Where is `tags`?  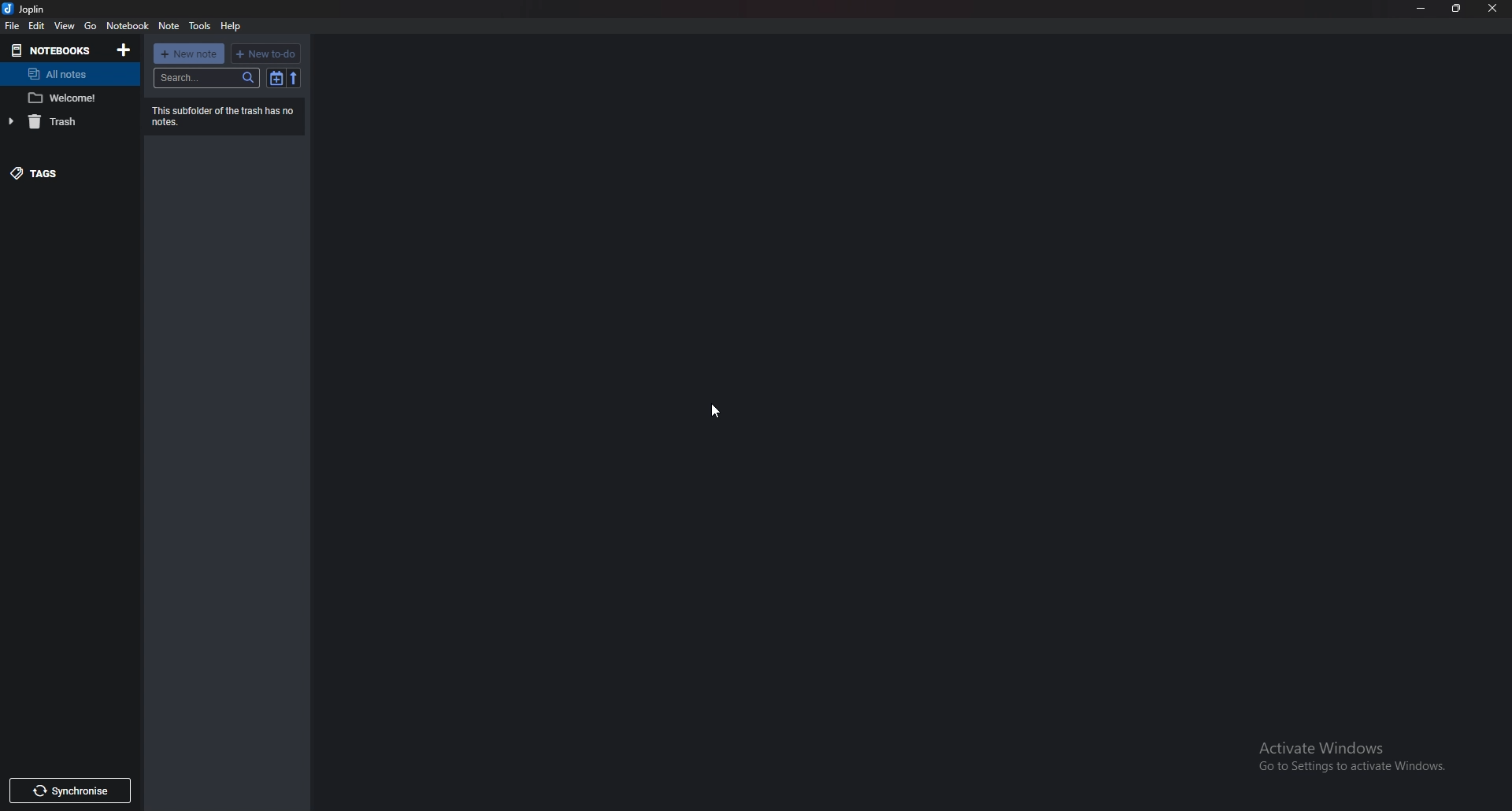 tags is located at coordinates (74, 173).